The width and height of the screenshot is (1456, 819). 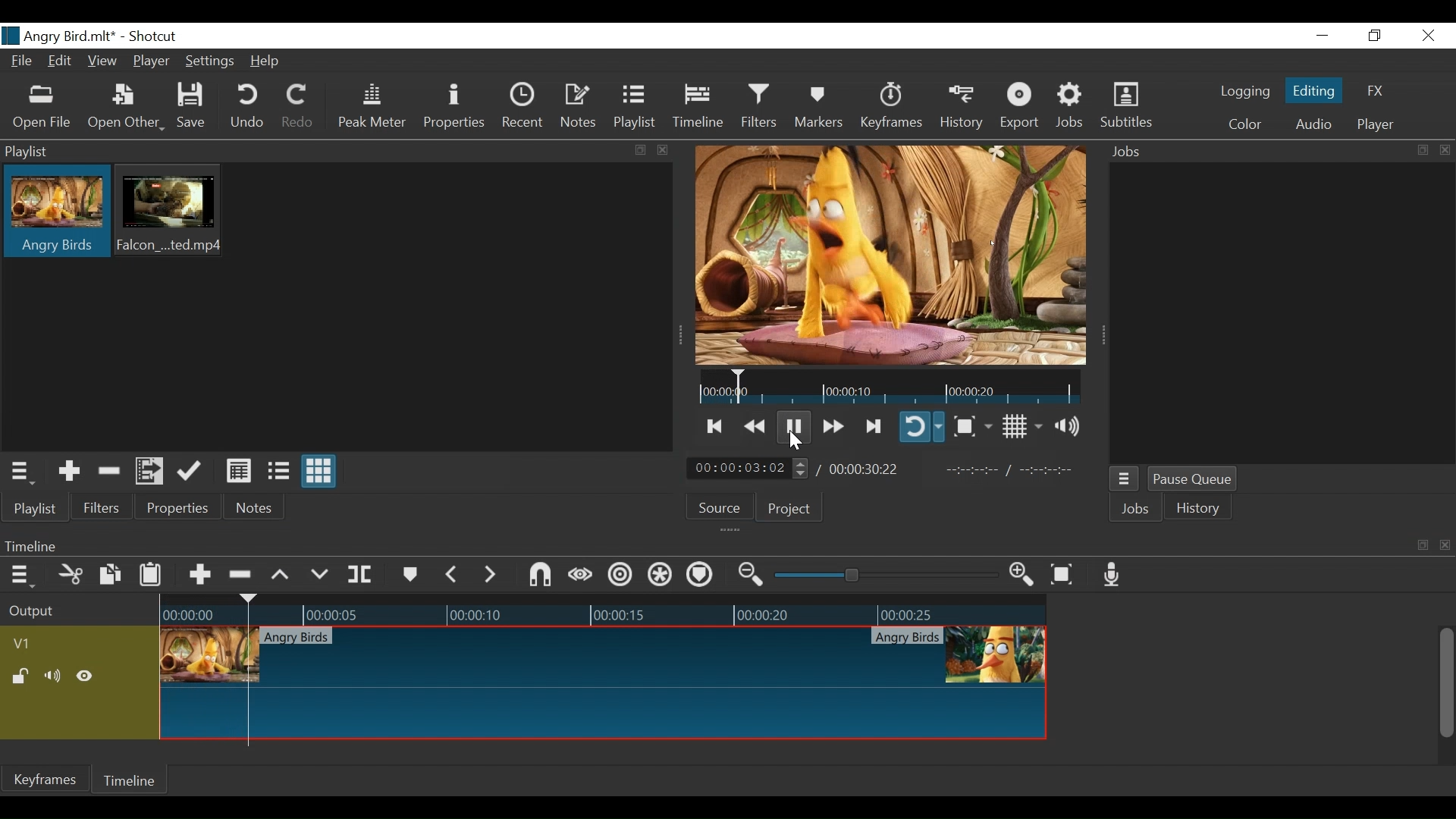 What do you see at coordinates (59, 617) in the screenshot?
I see `Output` at bounding box center [59, 617].